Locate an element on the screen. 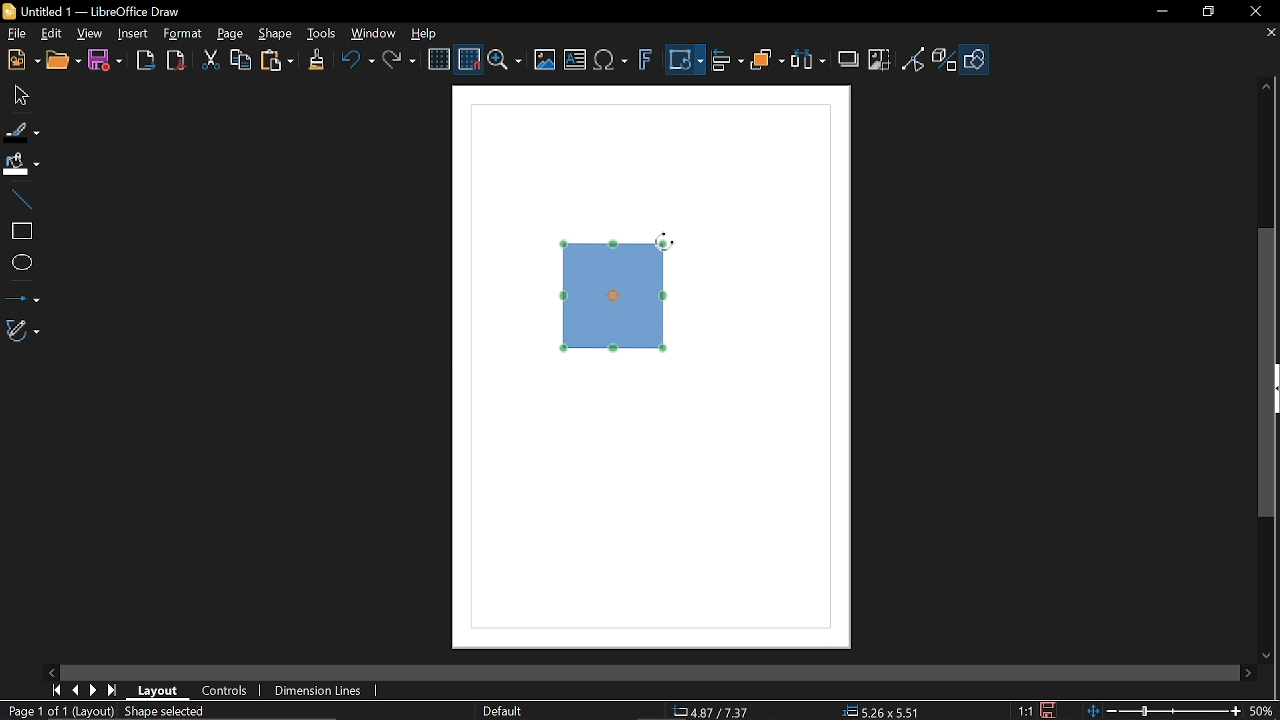  restore down is located at coordinates (1209, 13).